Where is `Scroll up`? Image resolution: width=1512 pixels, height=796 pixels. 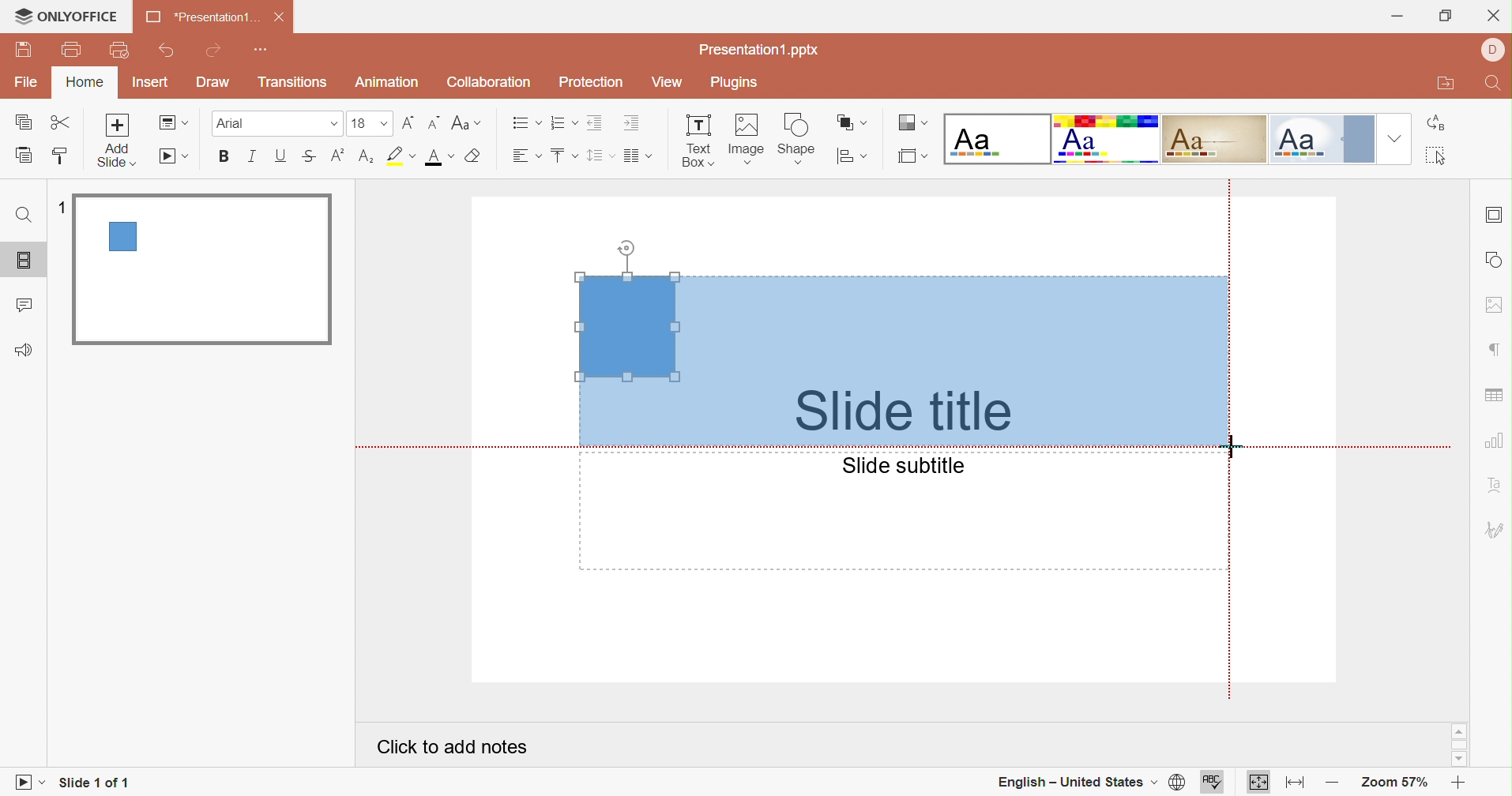
Scroll up is located at coordinates (1457, 730).